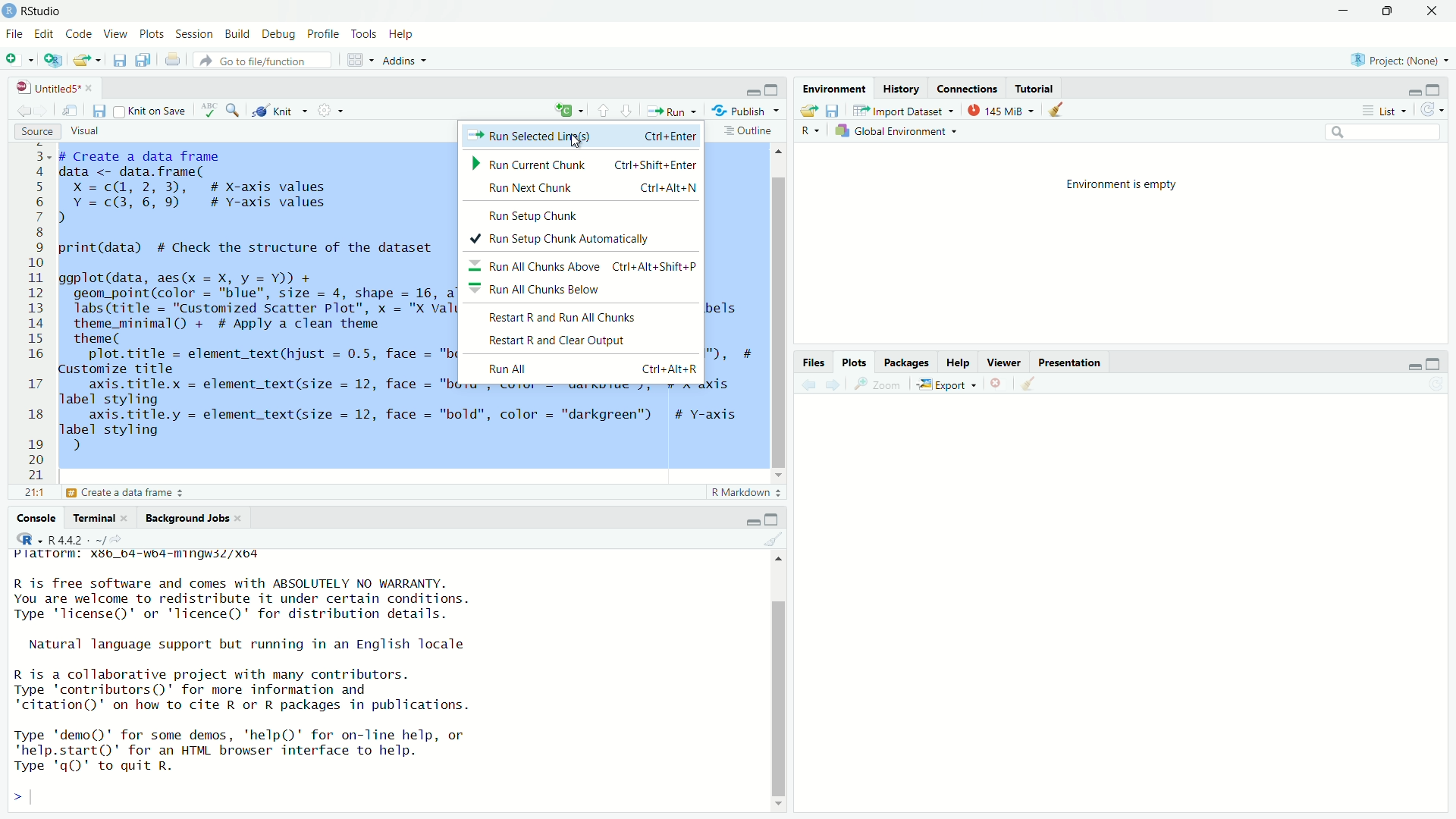 The height and width of the screenshot is (819, 1456). Describe the element at coordinates (808, 384) in the screenshot. I see `Back ` at that location.